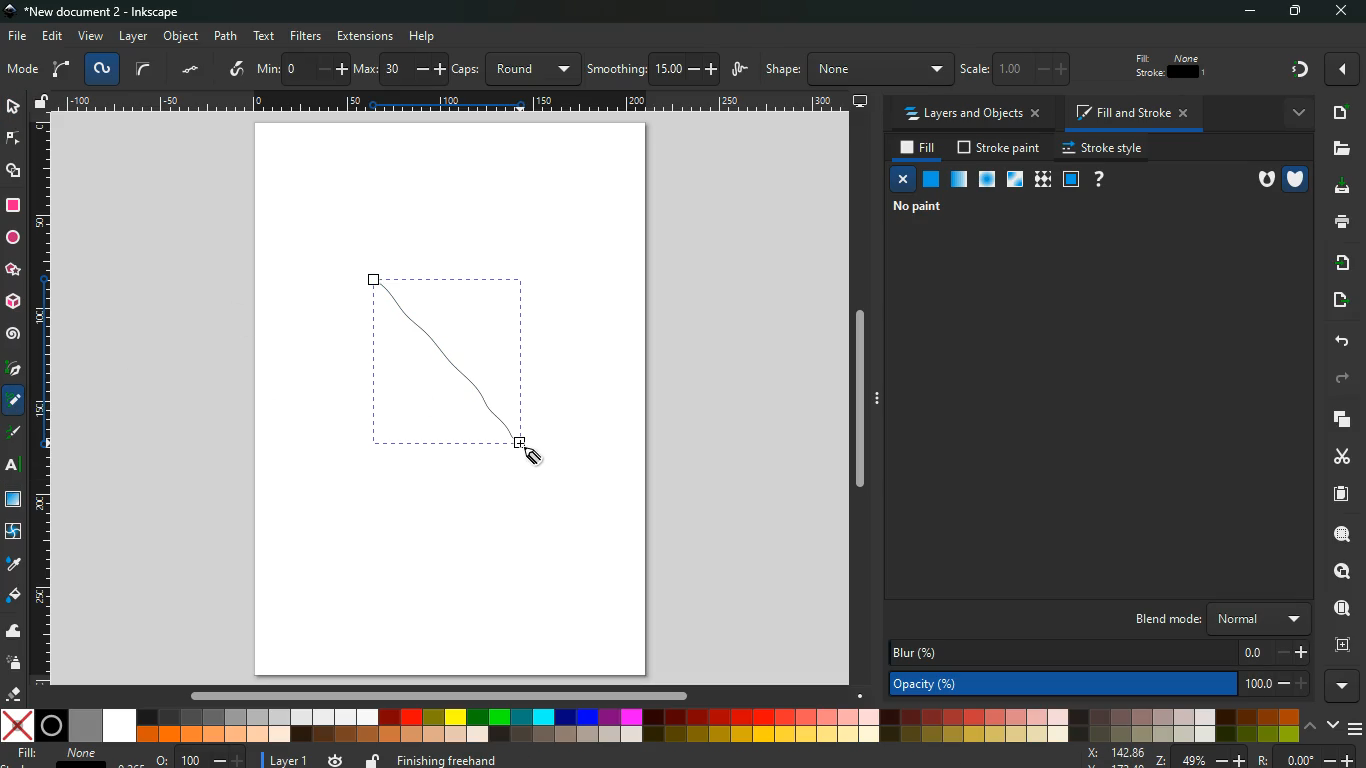  Describe the element at coordinates (61, 70) in the screenshot. I see `arc` at that location.